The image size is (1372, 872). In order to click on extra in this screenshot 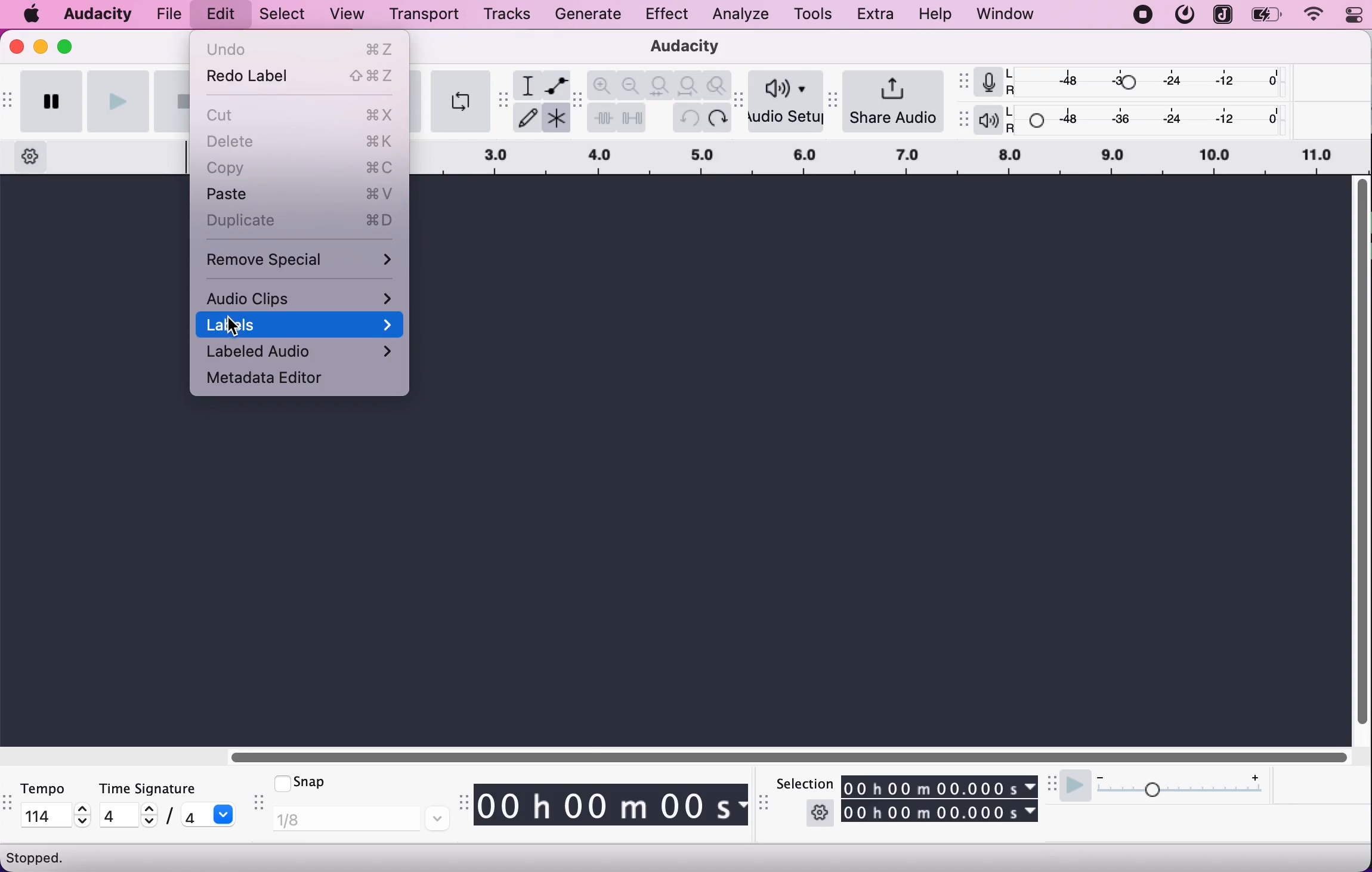, I will do `click(877, 15)`.